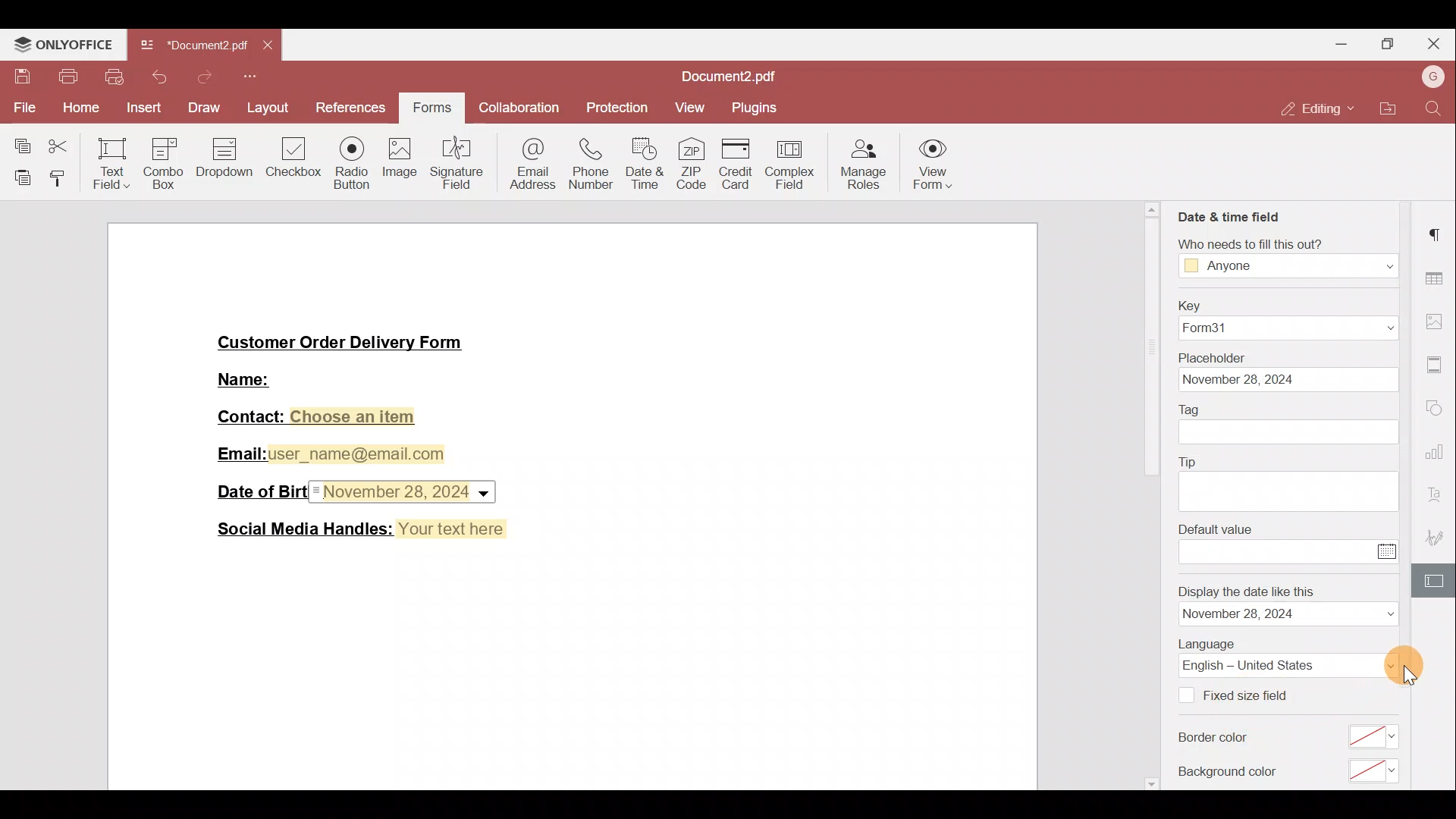  Describe the element at coordinates (1438, 324) in the screenshot. I see `Image settings` at that location.